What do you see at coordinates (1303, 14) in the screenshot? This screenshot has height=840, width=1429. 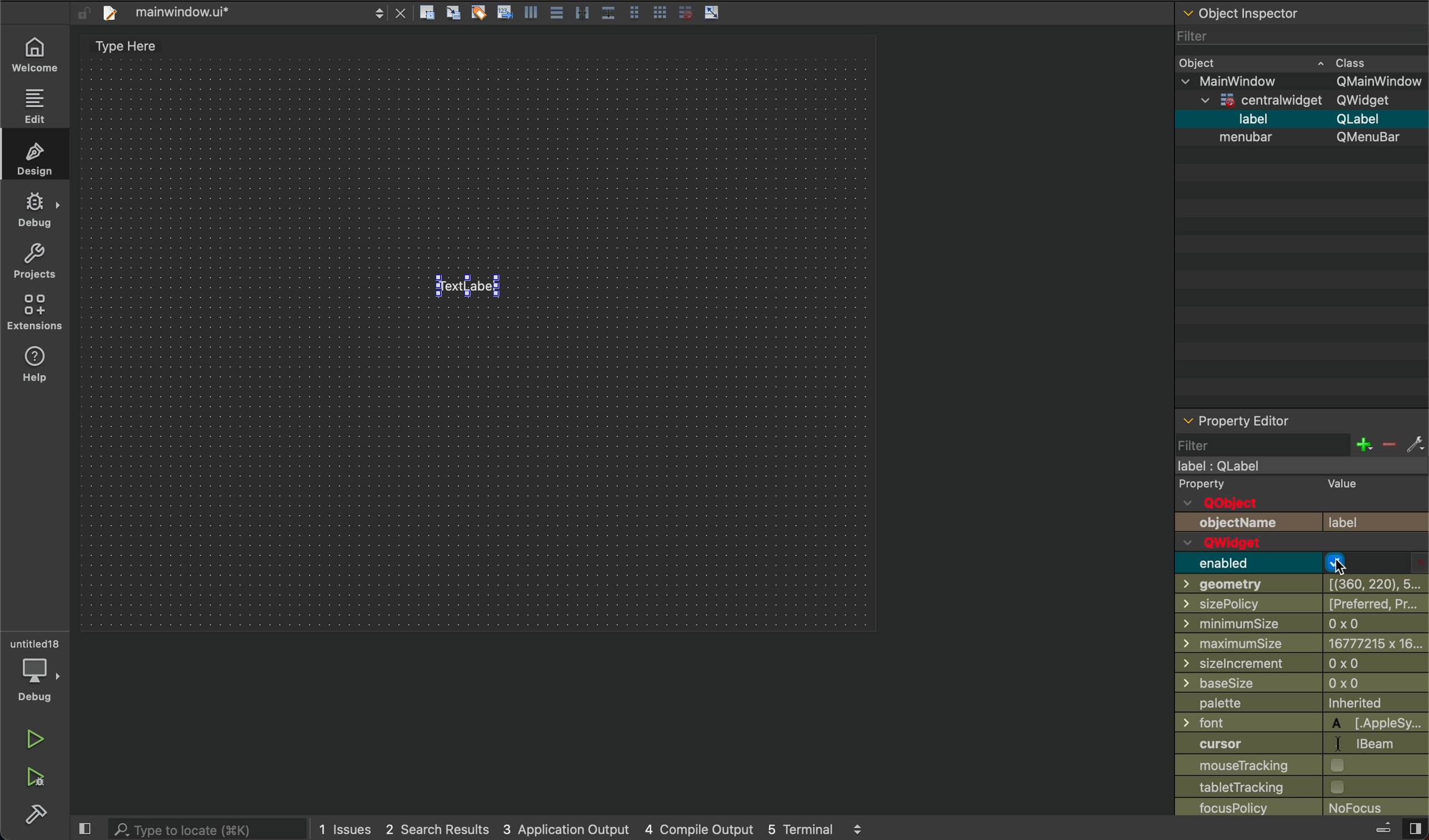 I see `object inspector` at bounding box center [1303, 14].